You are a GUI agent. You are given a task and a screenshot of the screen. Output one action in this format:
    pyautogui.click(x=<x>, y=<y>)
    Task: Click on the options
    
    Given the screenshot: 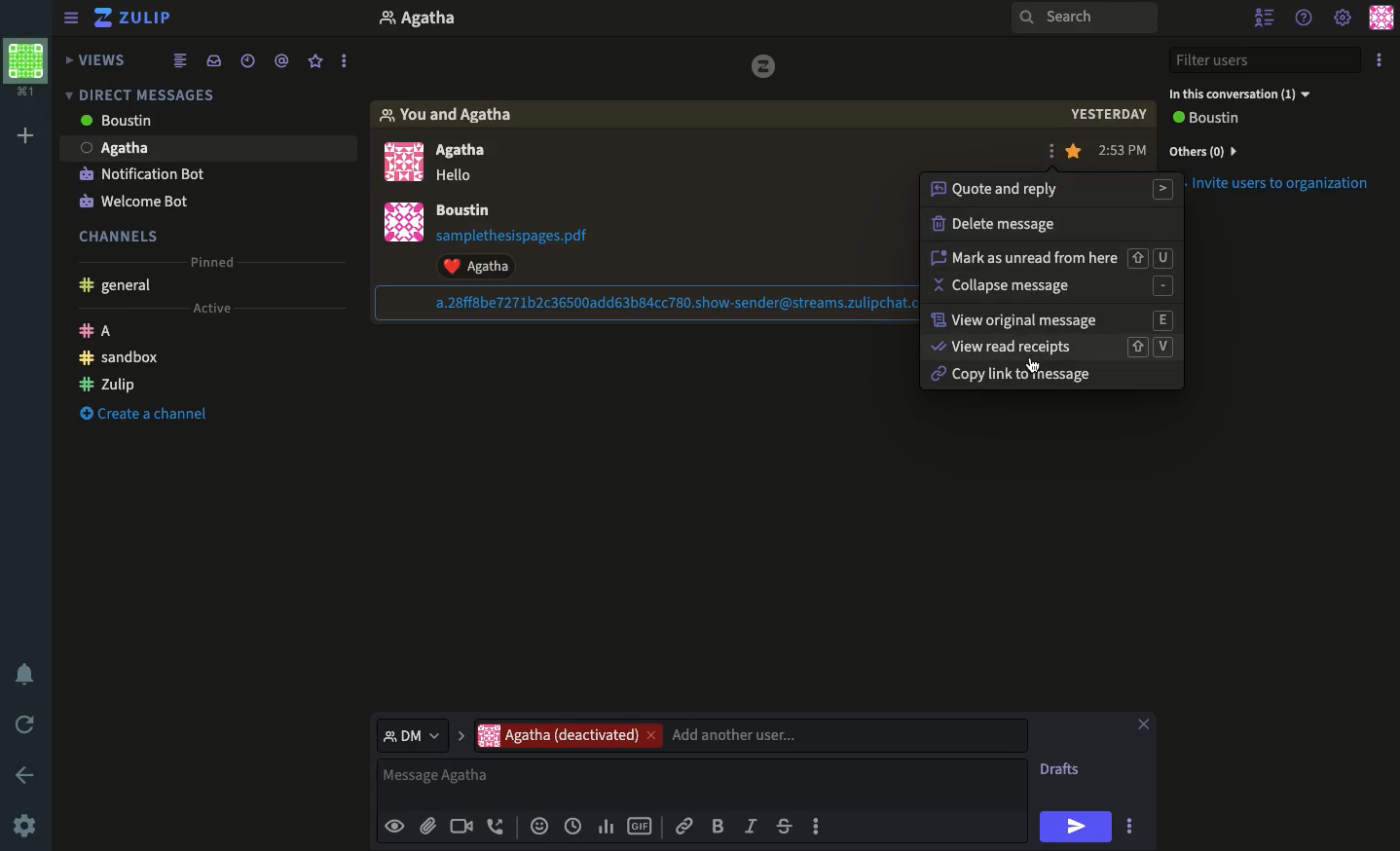 What is the action you would take?
    pyautogui.click(x=1053, y=156)
    